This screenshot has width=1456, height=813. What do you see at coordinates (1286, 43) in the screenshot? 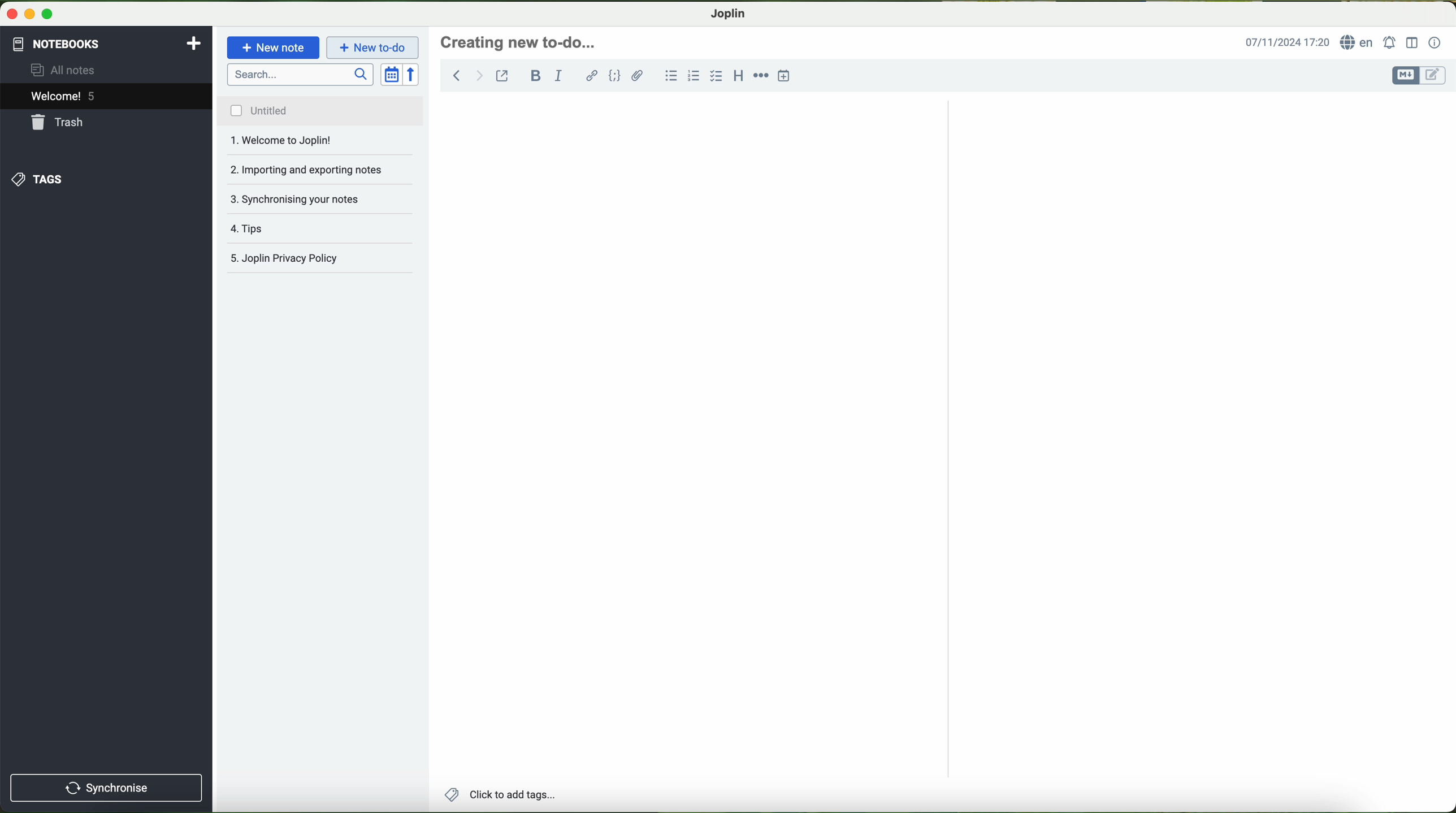
I see `hour and date` at bounding box center [1286, 43].